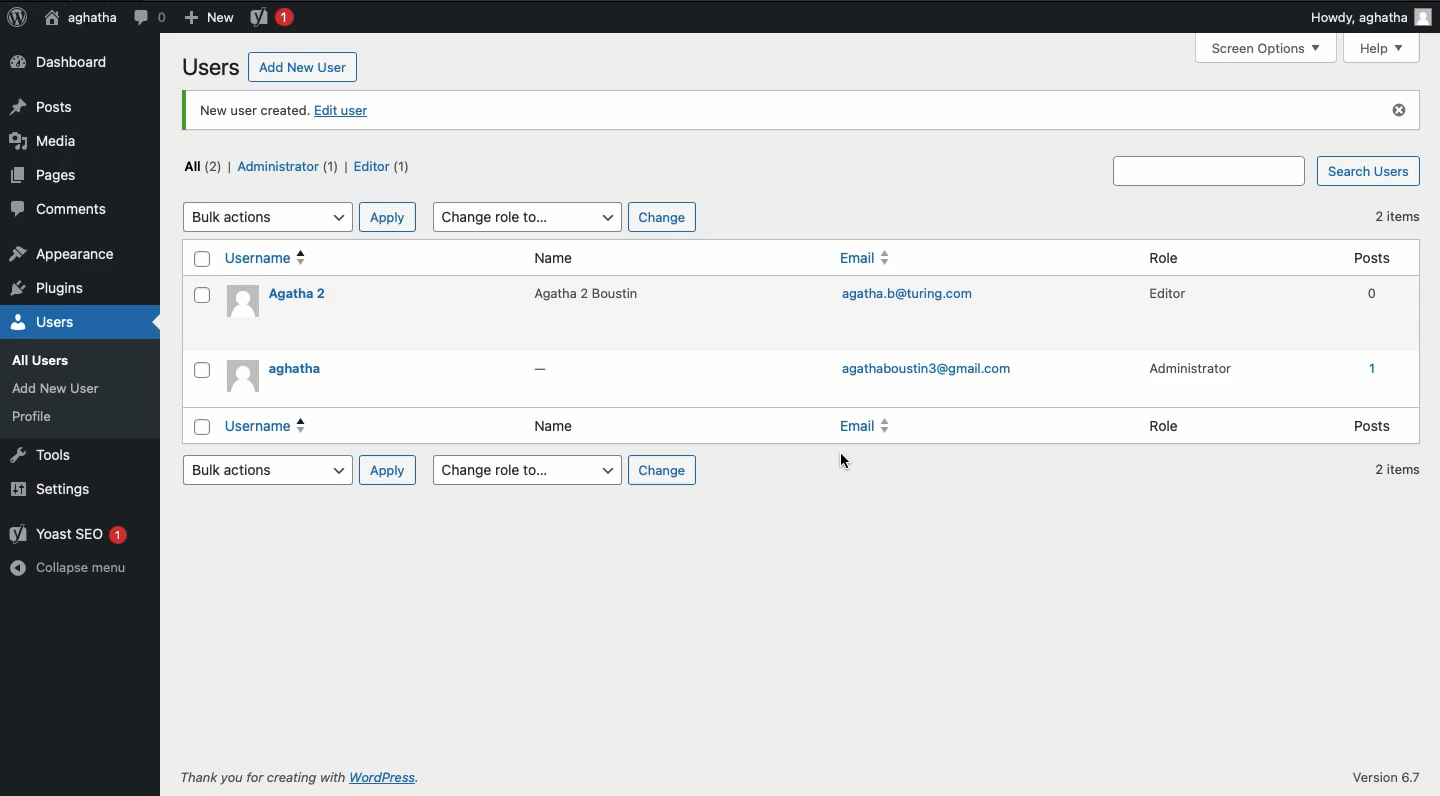  Describe the element at coordinates (62, 388) in the screenshot. I see `Add New user` at that location.